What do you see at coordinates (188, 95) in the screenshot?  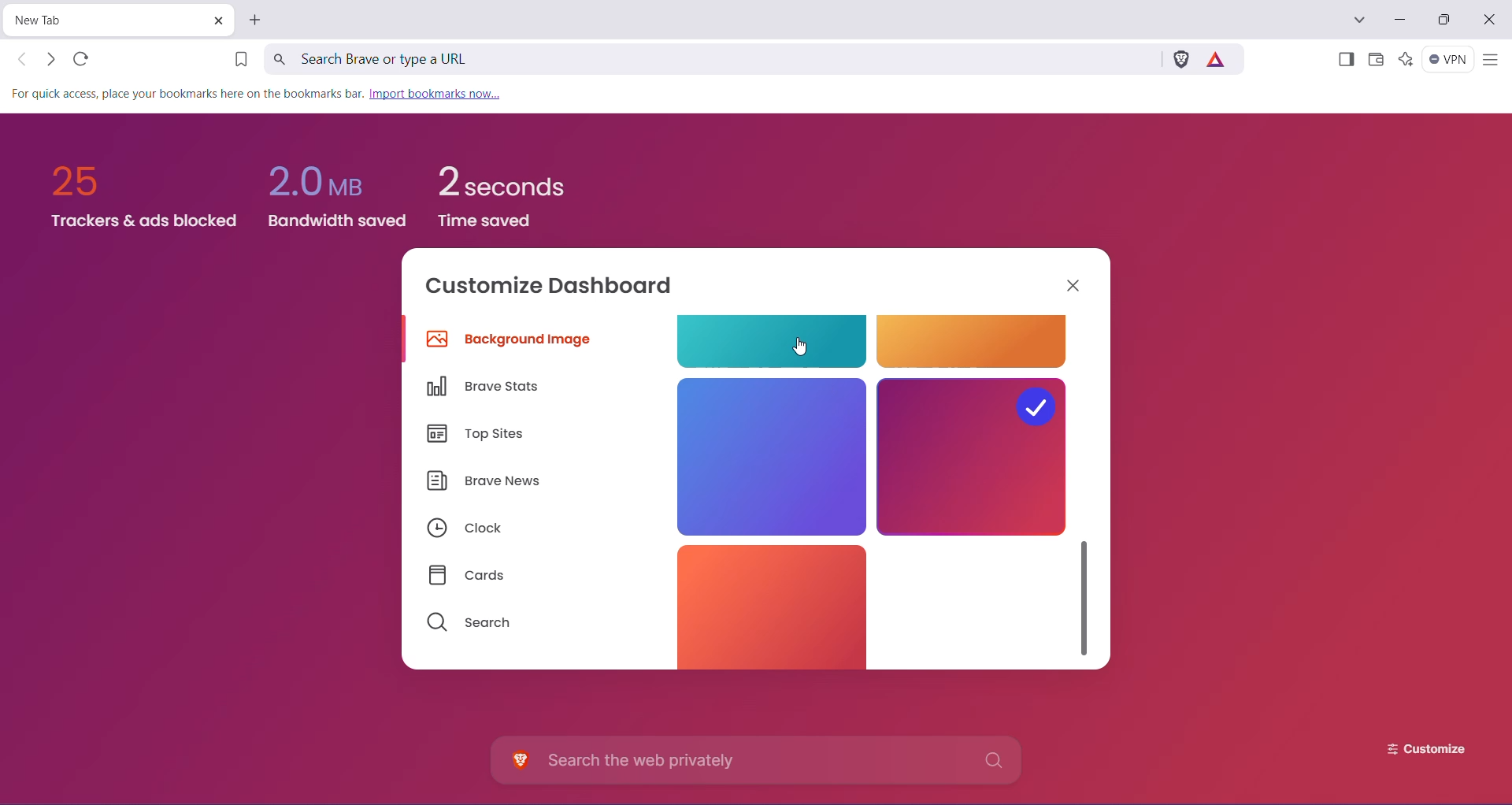 I see `For quick access, place your bookmarks here on the bookmarks bar.` at bounding box center [188, 95].